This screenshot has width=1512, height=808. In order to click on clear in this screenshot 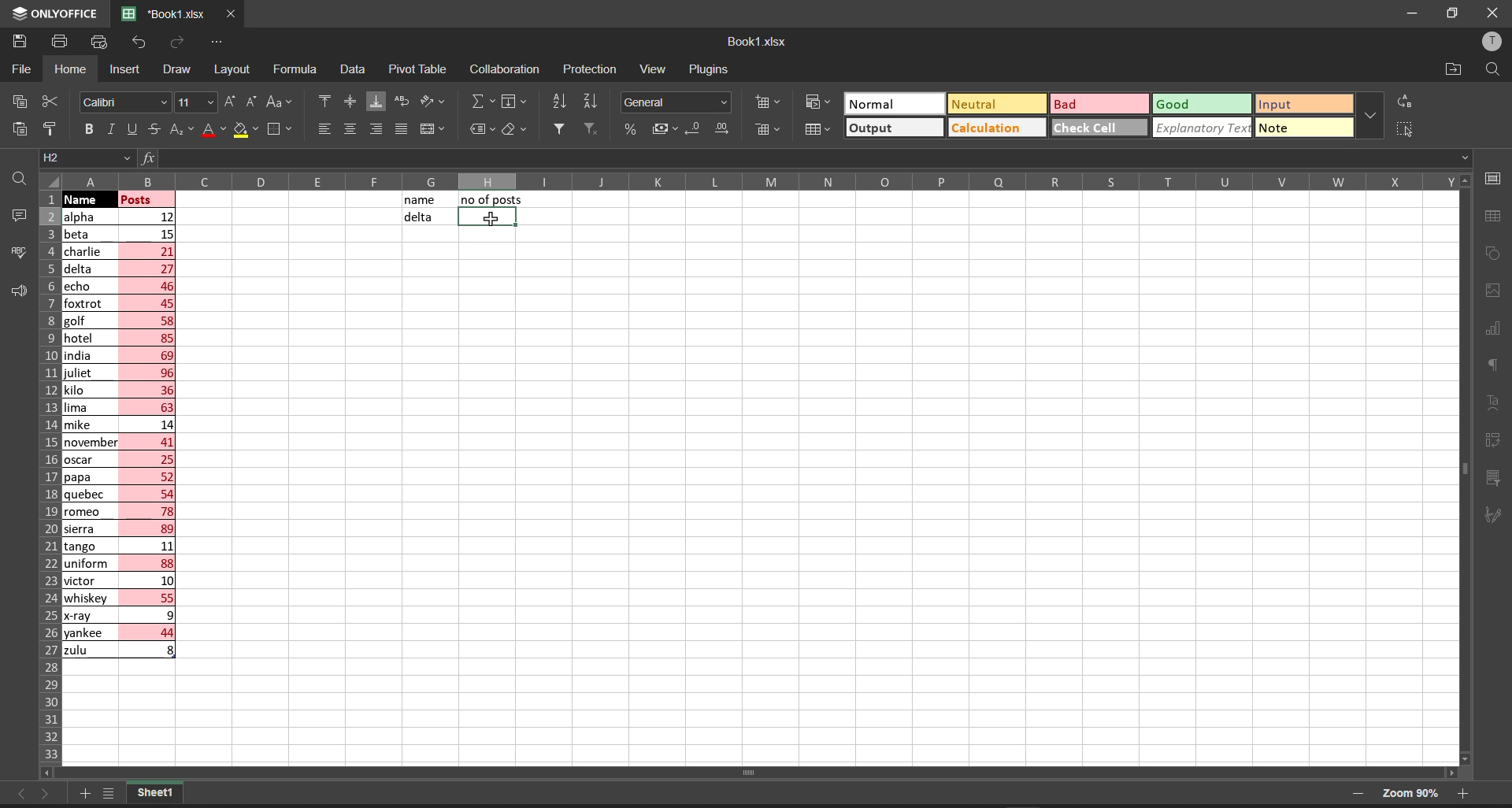, I will do `click(515, 130)`.